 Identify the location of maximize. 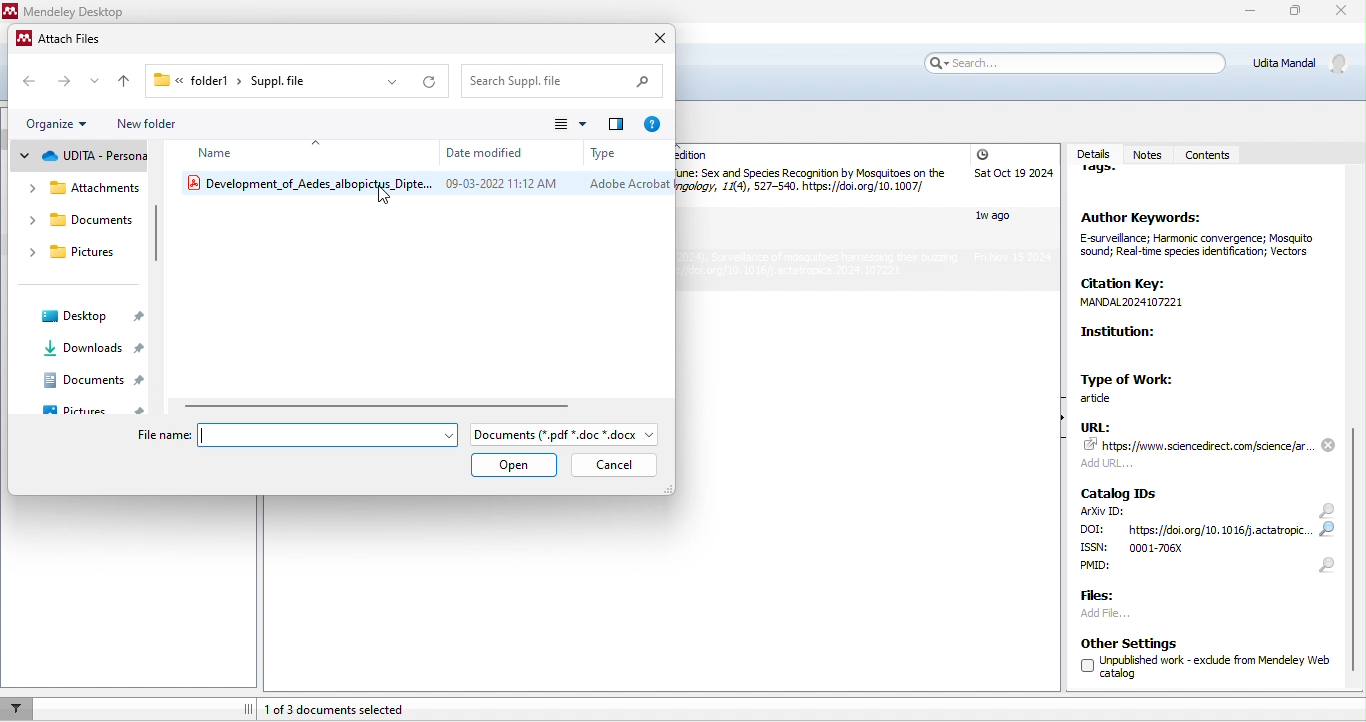
(1291, 14).